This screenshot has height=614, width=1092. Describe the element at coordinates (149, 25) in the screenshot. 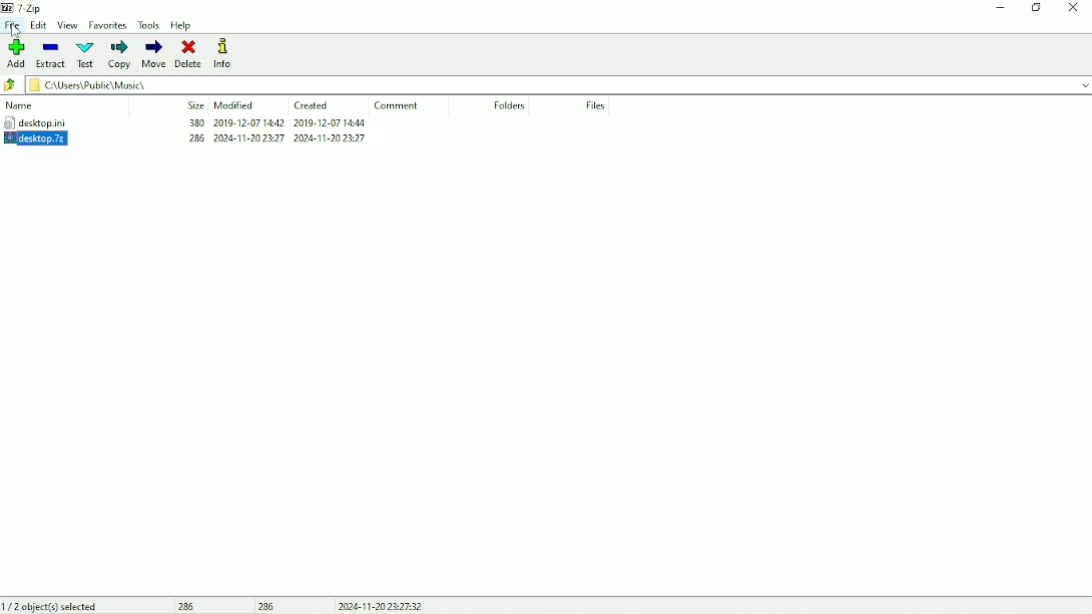

I see `Tools` at that location.